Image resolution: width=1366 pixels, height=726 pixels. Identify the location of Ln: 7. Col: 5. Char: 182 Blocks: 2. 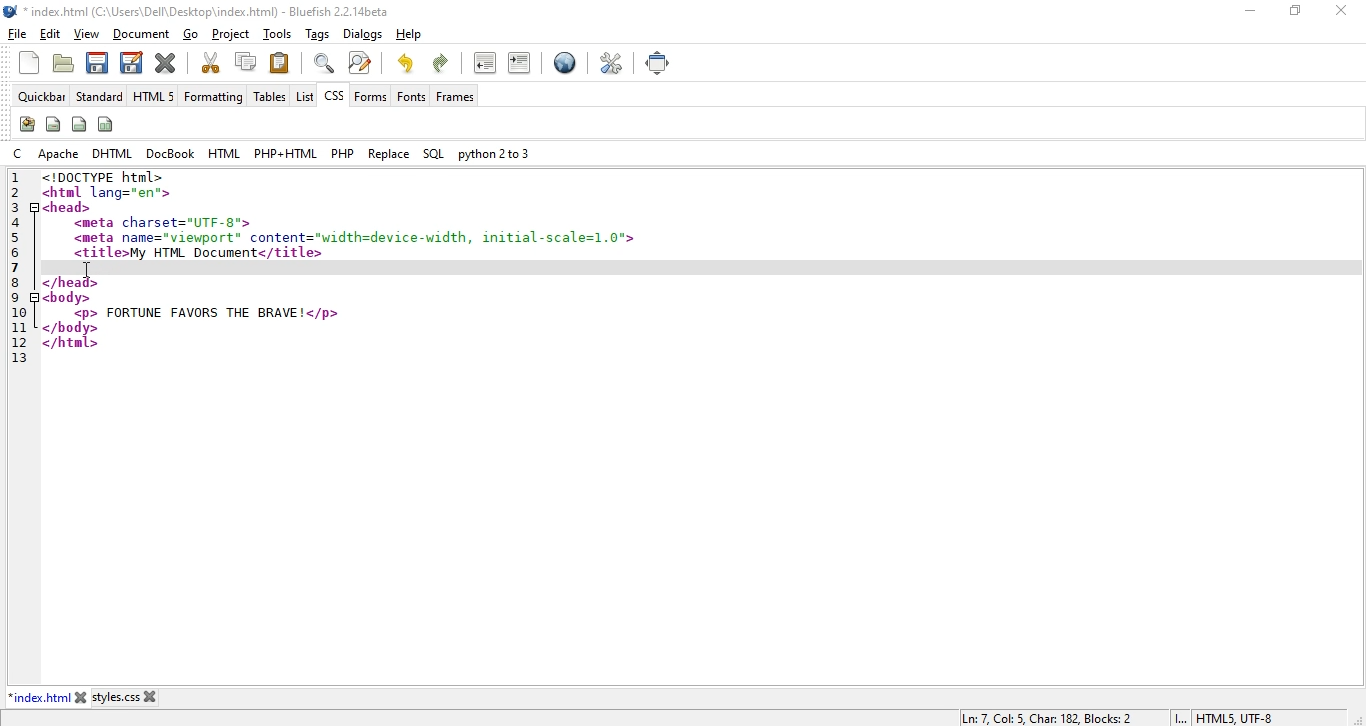
(1050, 717).